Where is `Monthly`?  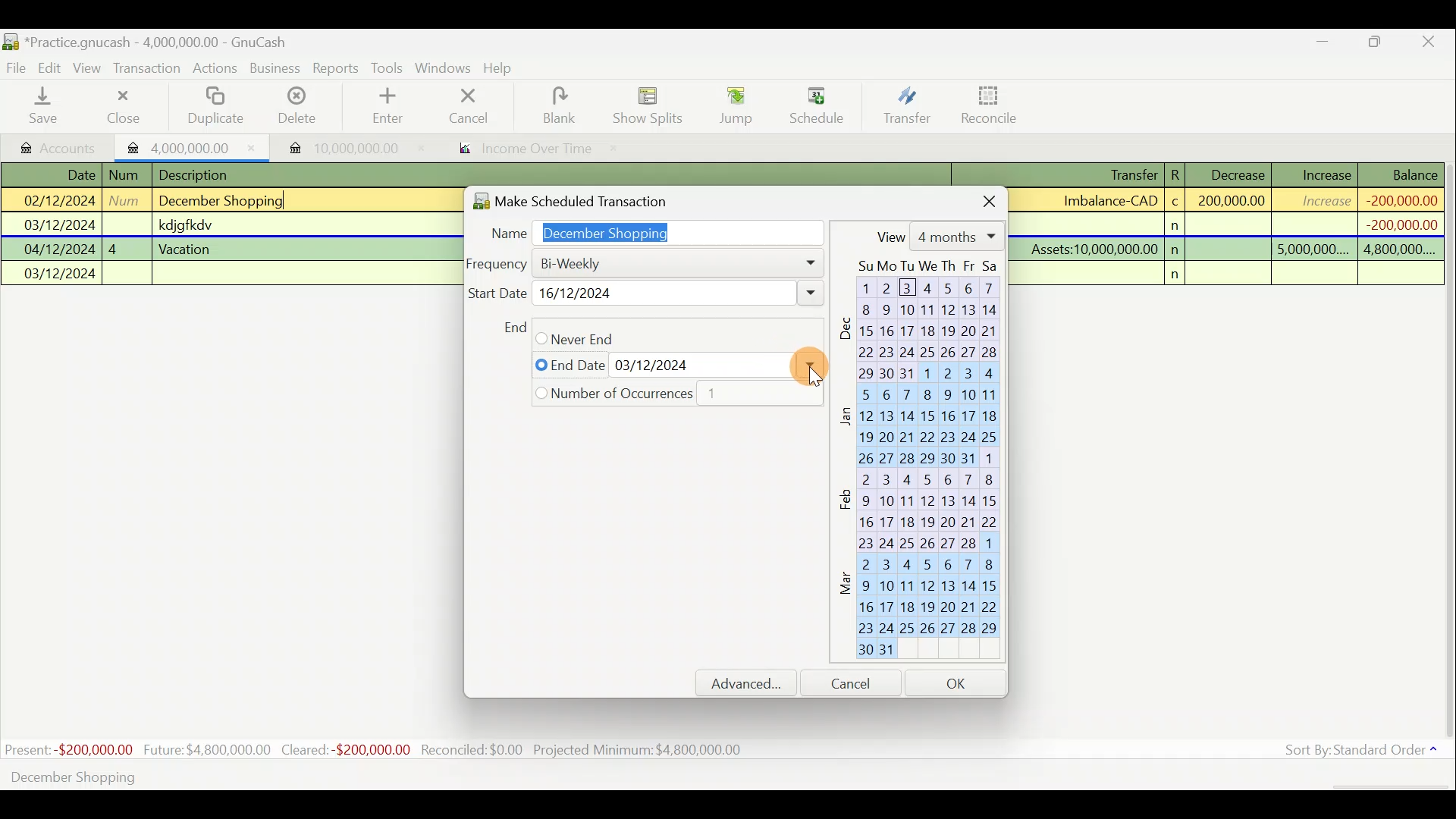 Monthly is located at coordinates (580, 337).